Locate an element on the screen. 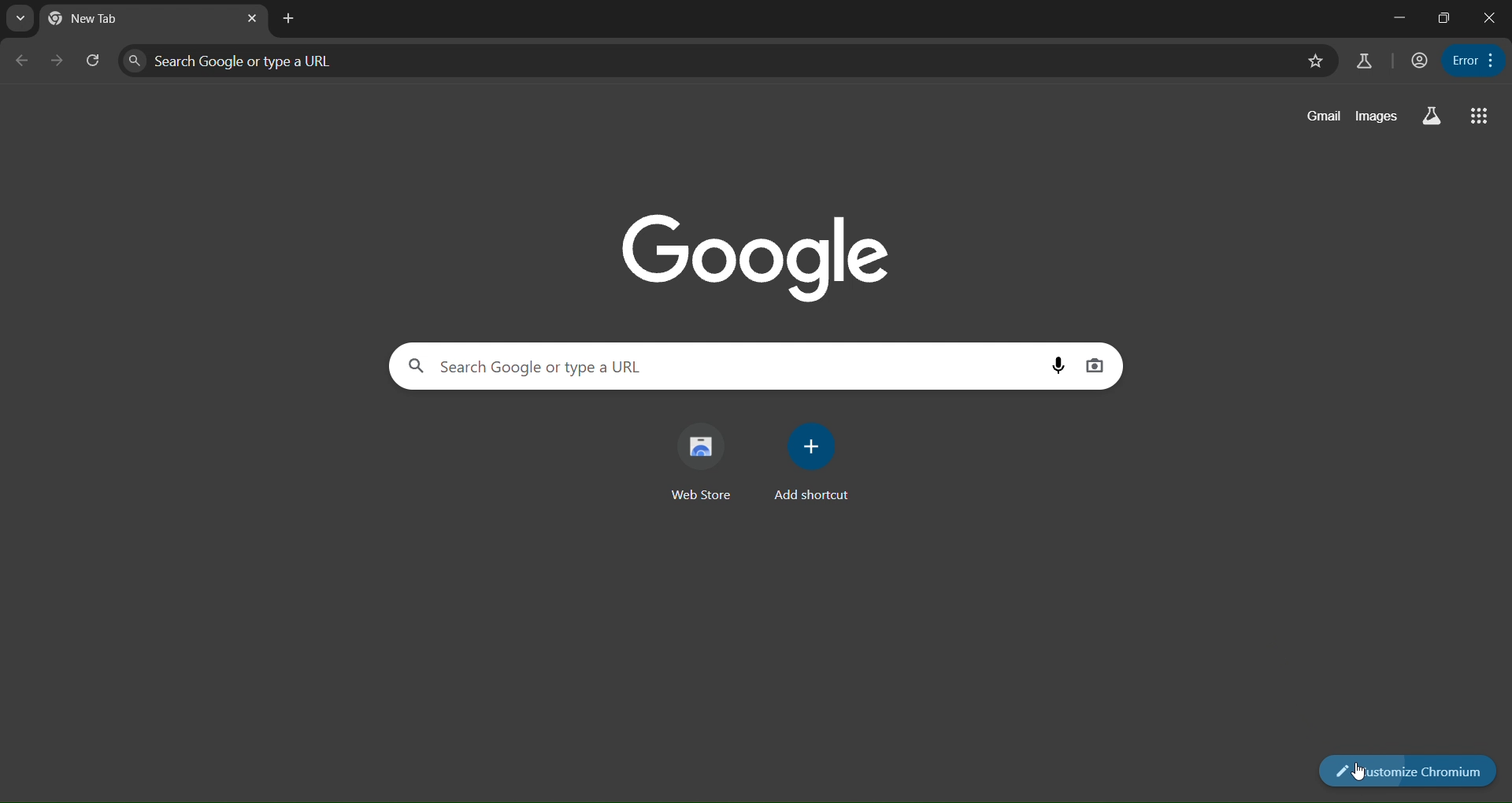 This screenshot has height=803, width=1512. gmail is located at coordinates (1324, 115).